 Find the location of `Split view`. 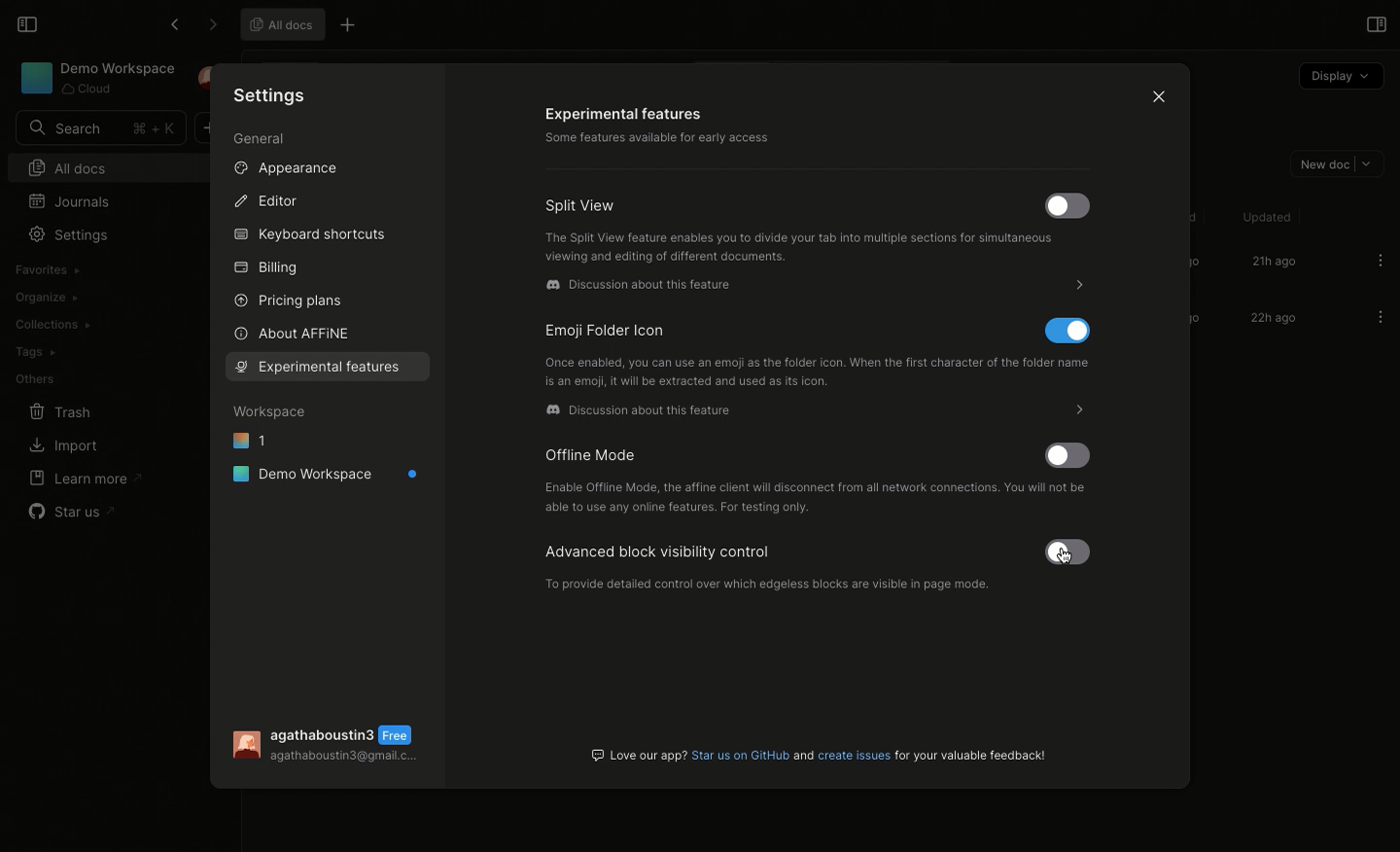

Split view is located at coordinates (790, 230).